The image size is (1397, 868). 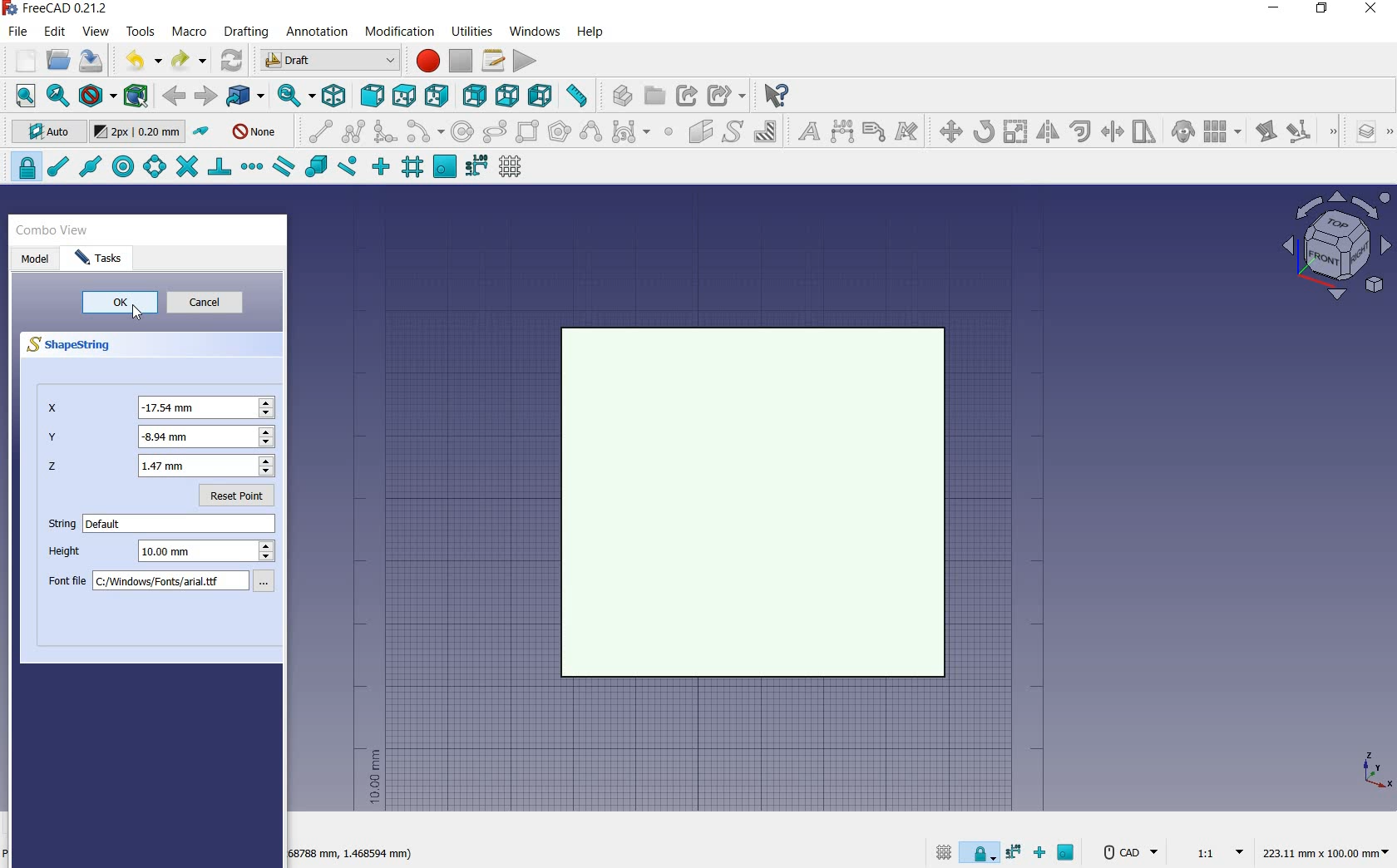 What do you see at coordinates (77, 346) in the screenshot?
I see `ShapeString` at bounding box center [77, 346].